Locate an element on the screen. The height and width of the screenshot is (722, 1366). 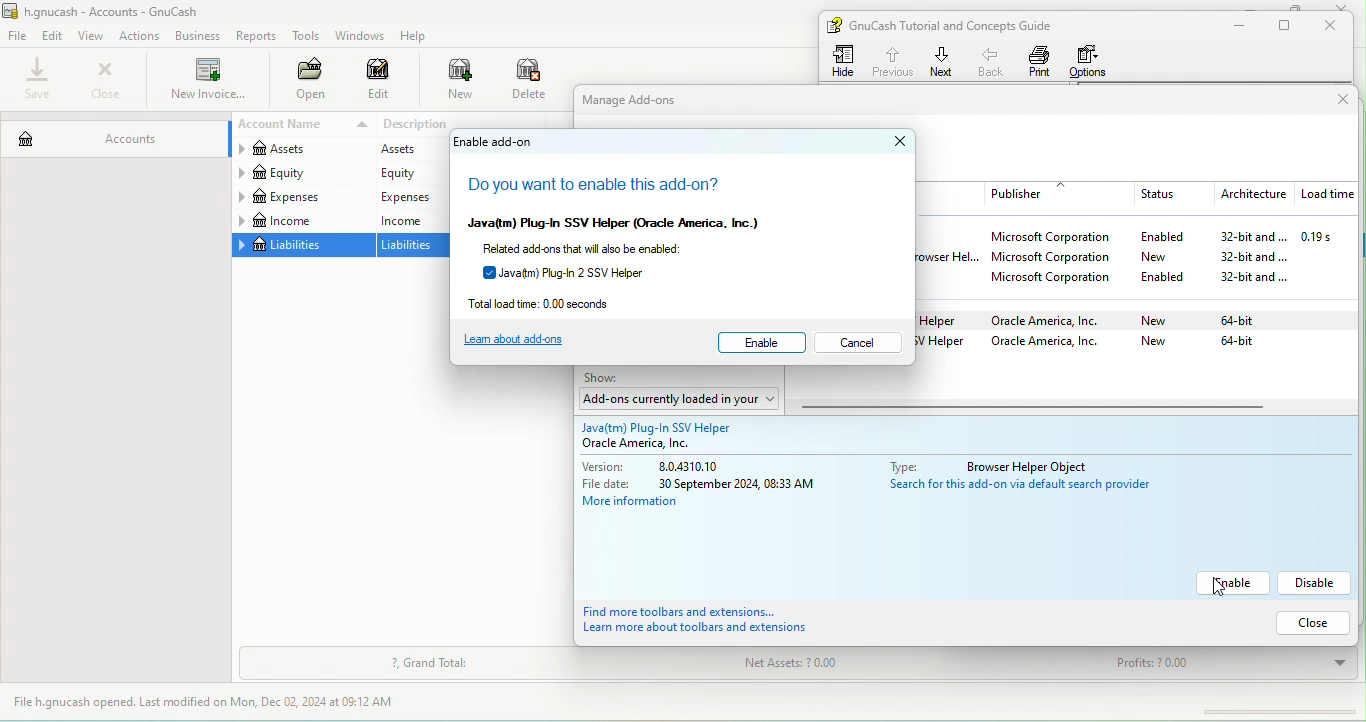
java(tm)plug ln 2 ssv helper is located at coordinates (589, 273).